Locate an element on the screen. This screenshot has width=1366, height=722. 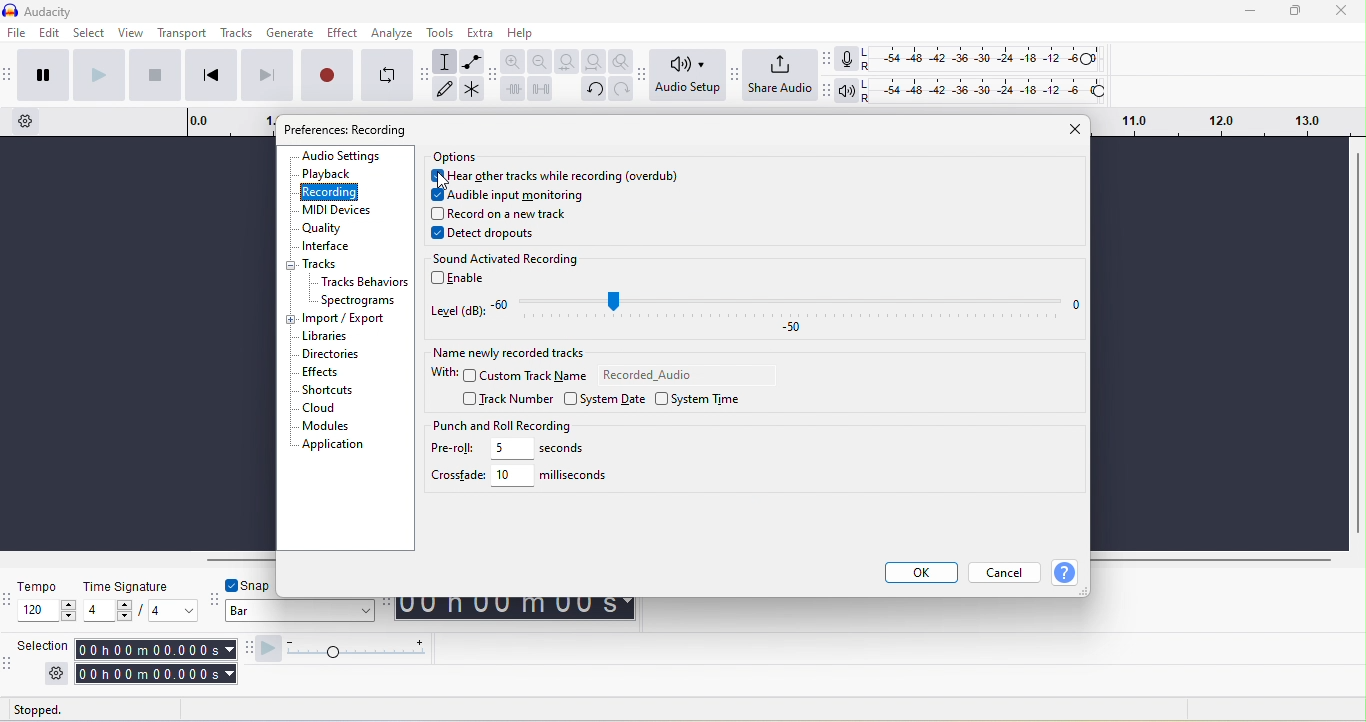
ok is located at coordinates (923, 572).